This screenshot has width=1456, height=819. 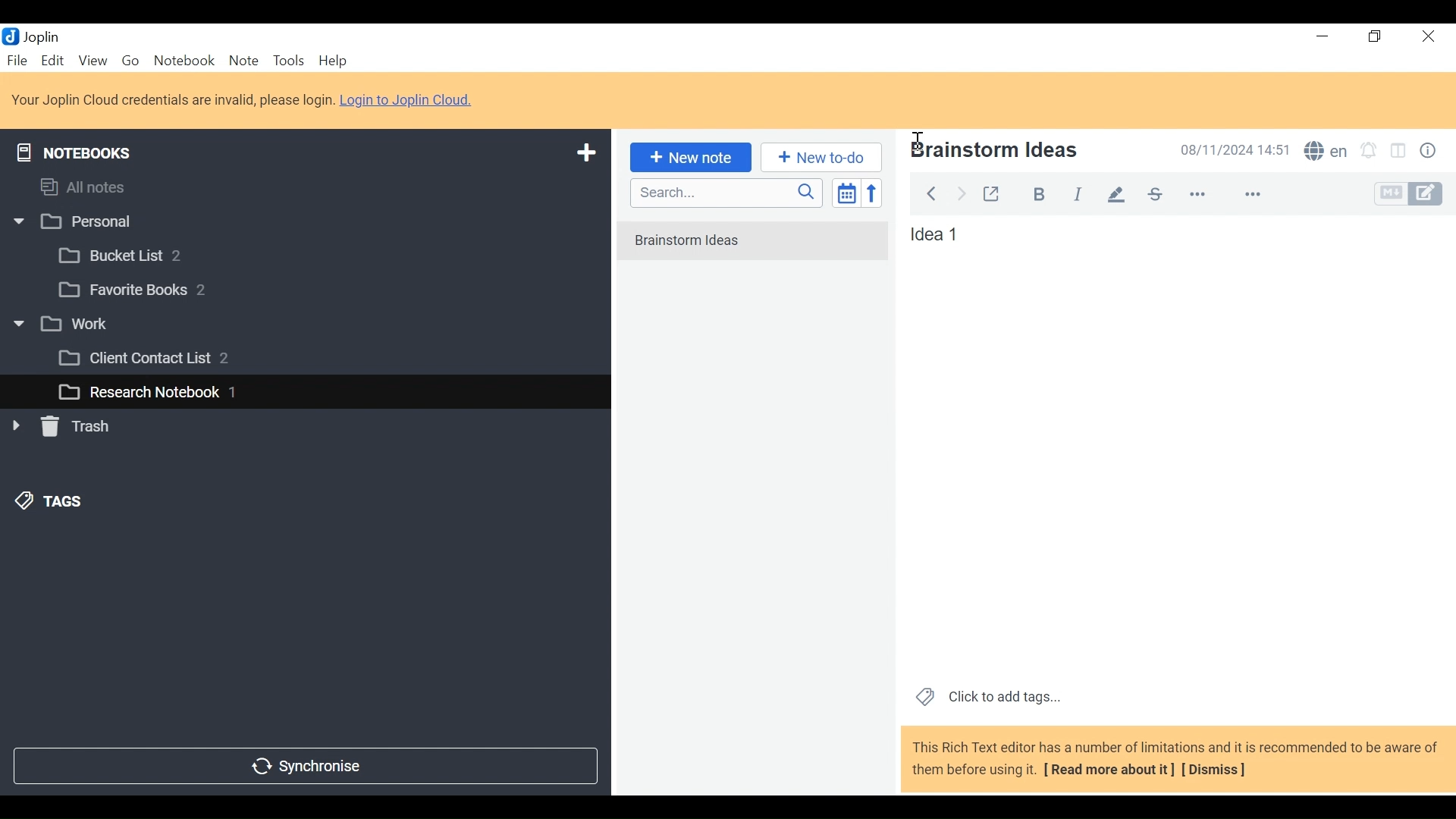 What do you see at coordinates (688, 156) in the screenshot?
I see `New note` at bounding box center [688, 156].